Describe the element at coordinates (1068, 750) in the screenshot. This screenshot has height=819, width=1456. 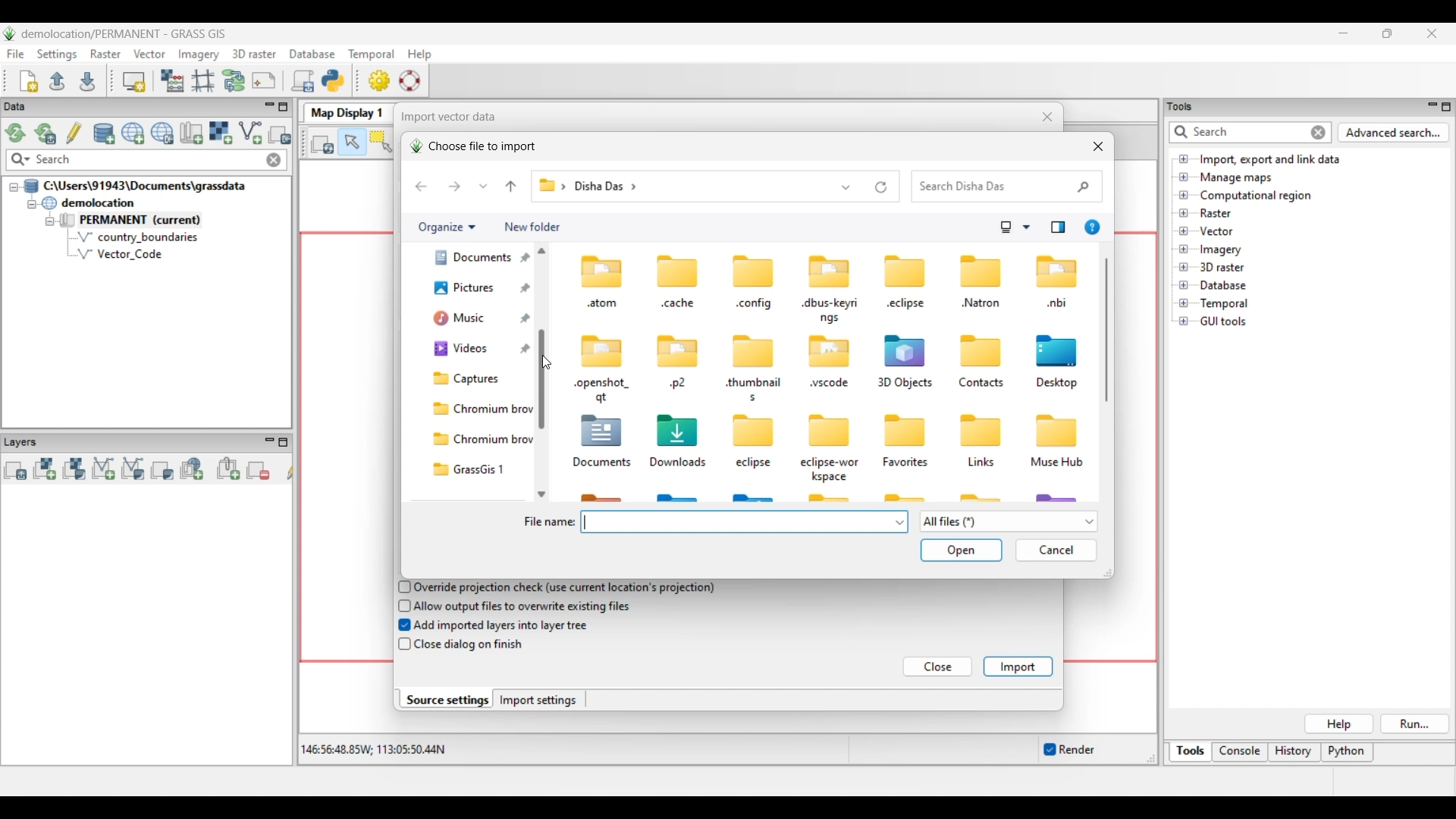
I see `Enable/Disable auto-rendering` at that location.